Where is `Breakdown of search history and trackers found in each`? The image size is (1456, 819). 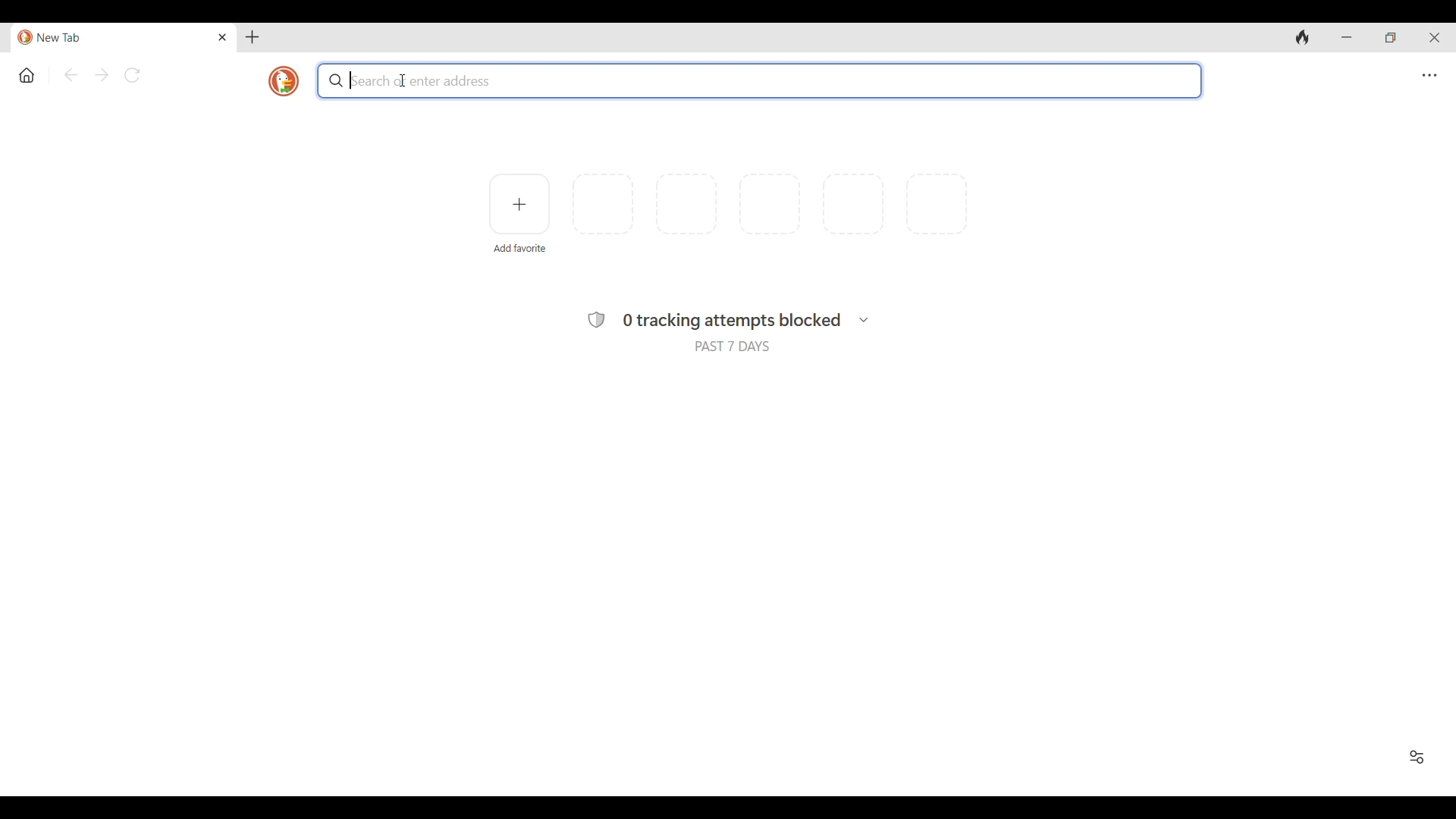 Breakdown of search history and trackers found in each is located at coordinates (864, 319).